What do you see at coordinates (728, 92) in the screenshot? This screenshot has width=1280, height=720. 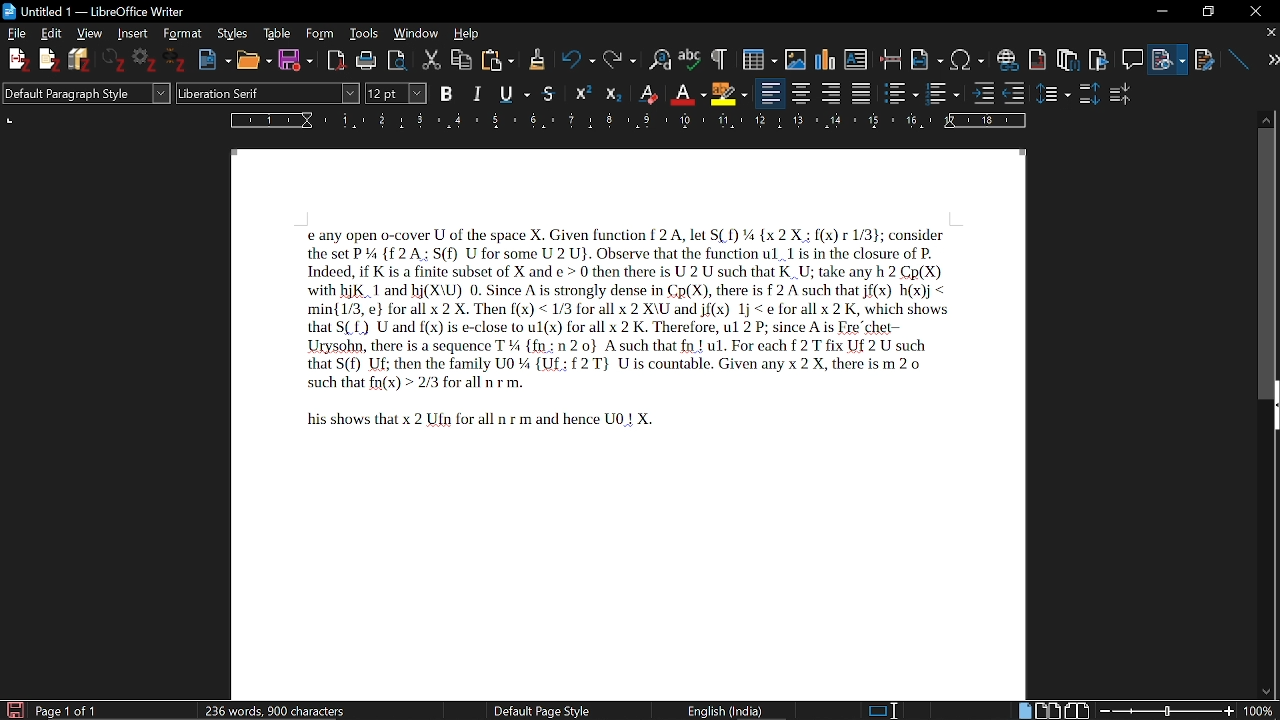 I see `character highlighting option` at bounding box center [728, 92].